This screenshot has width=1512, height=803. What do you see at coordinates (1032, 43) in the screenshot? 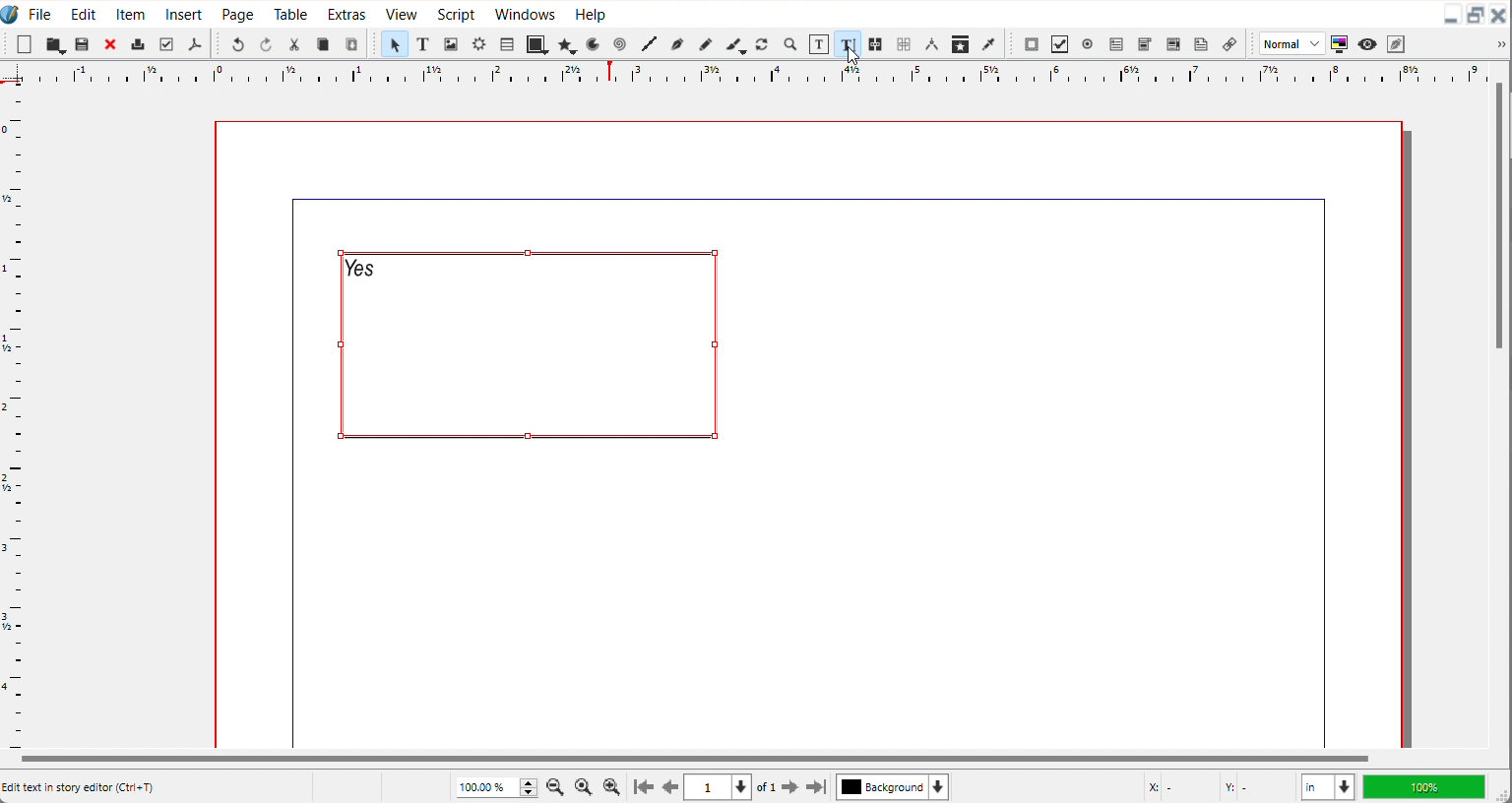
I see `PDF Push button` at bounding box center [1032, 43].